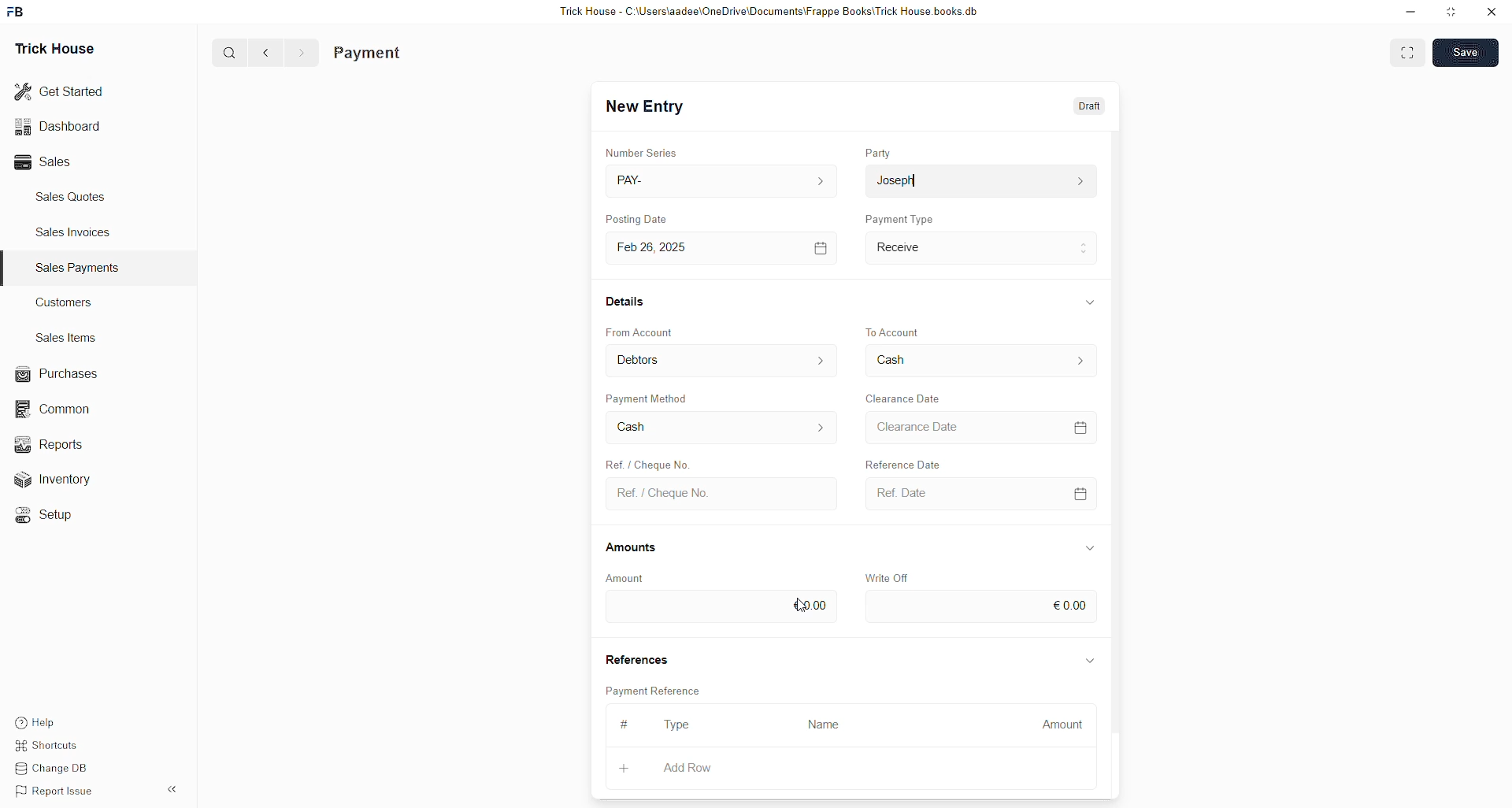  What do you see at coordinates (632, 548) in the screenshot?
I see `Amounts` at bounding box center [632, 548].